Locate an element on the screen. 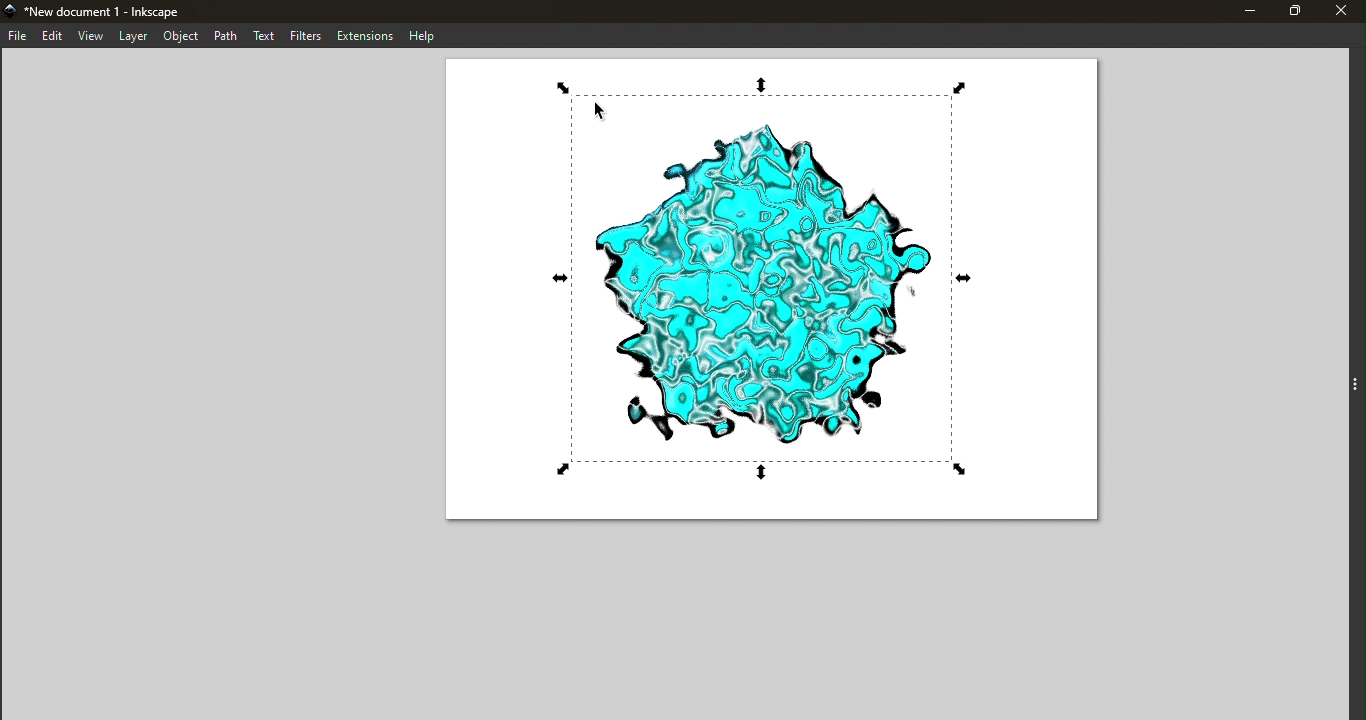 This screenshot has width=1366, height=720. Object is located at coordinates (178, 36).